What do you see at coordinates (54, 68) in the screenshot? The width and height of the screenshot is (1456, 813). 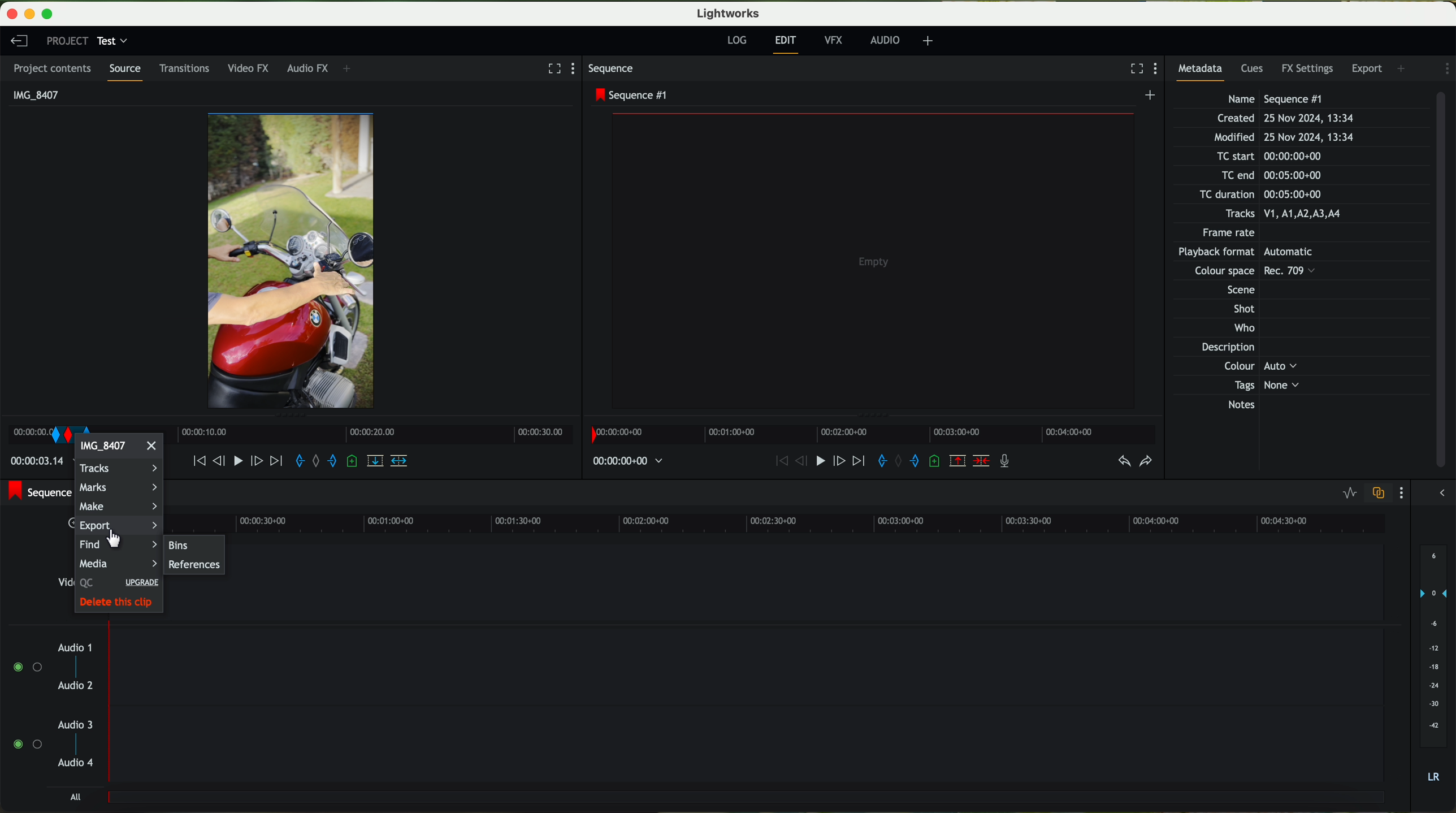 I see `project contents` at bounding box center [54, 68].